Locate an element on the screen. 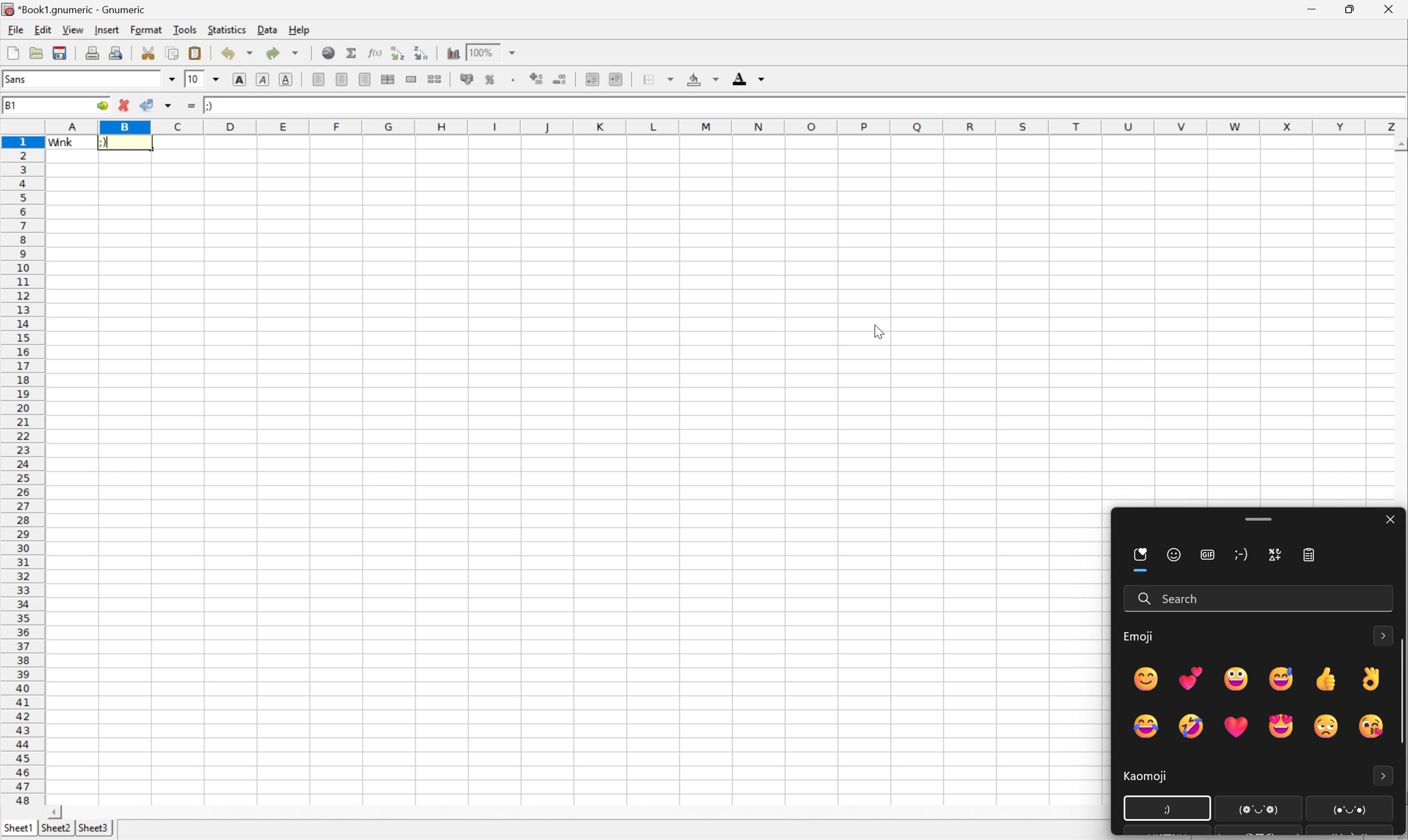 This screenshot has width=1408, height=840. accept changes across selection is located at coordinates (168, 107).